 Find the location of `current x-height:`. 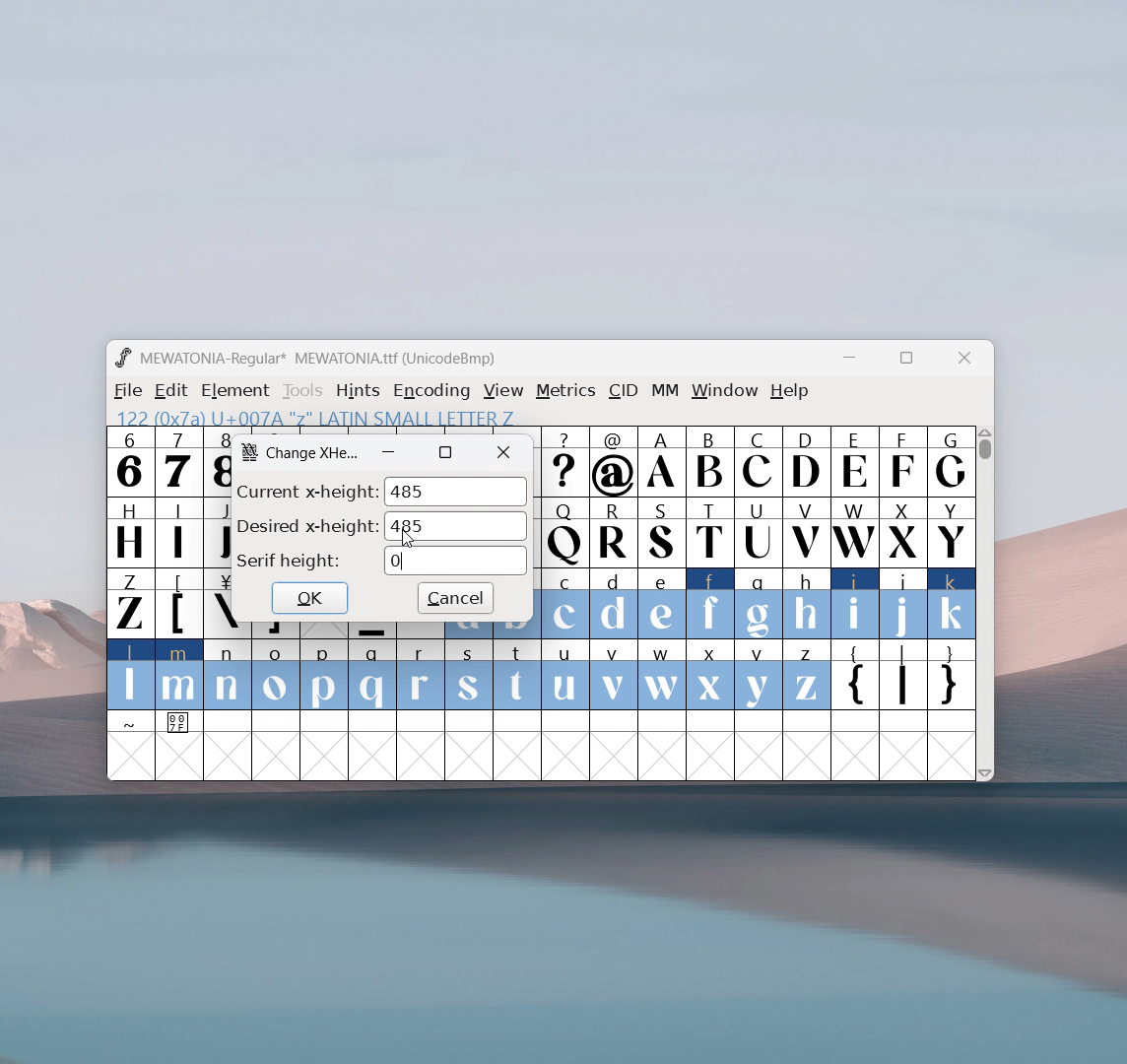

current x-height: is located at coordinates (306, 490).